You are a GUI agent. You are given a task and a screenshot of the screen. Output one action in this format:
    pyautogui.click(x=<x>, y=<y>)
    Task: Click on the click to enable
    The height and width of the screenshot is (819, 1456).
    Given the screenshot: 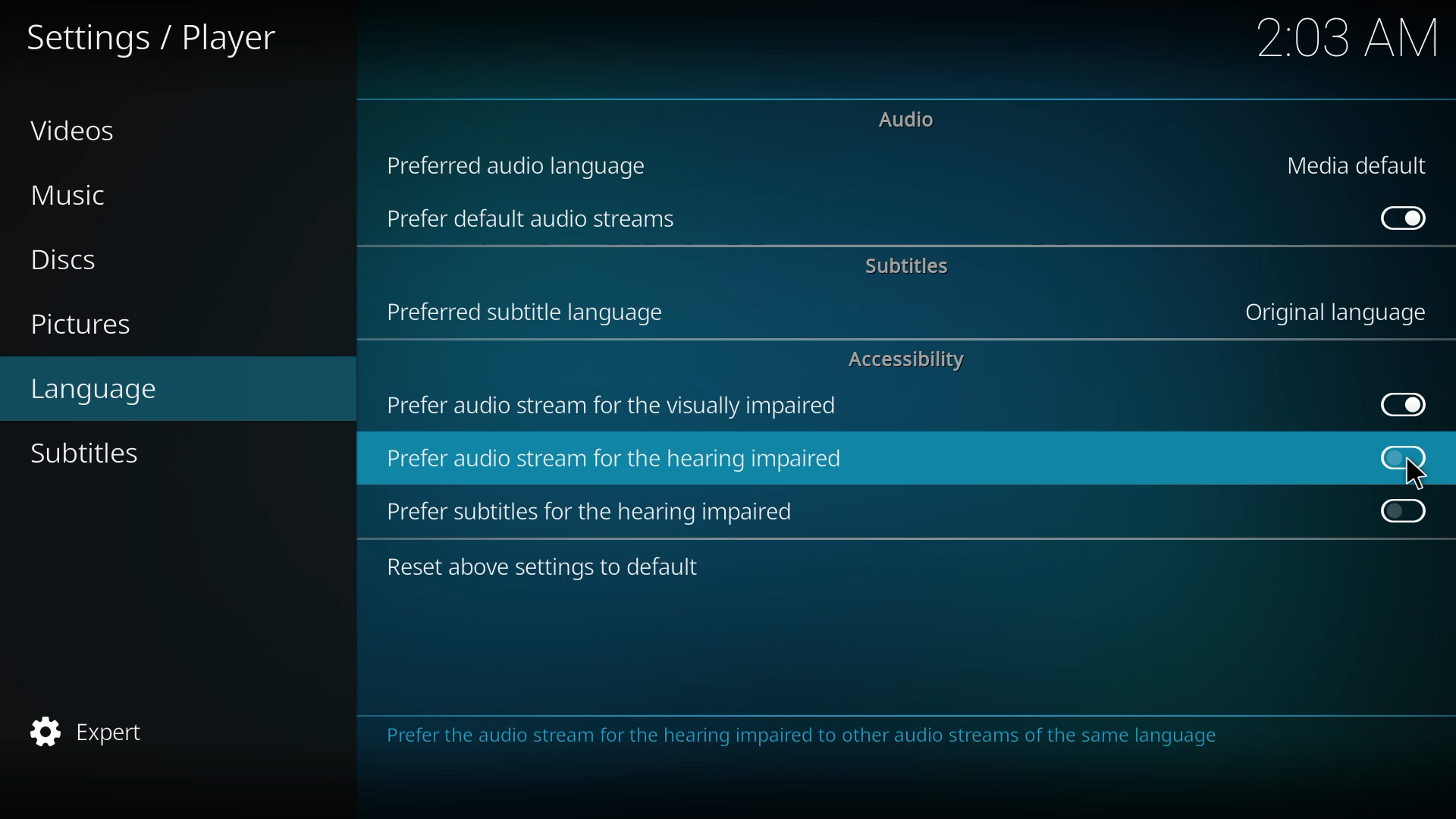 What is the action you would take?
    pyautogui.click(x=1403, y=457)
    